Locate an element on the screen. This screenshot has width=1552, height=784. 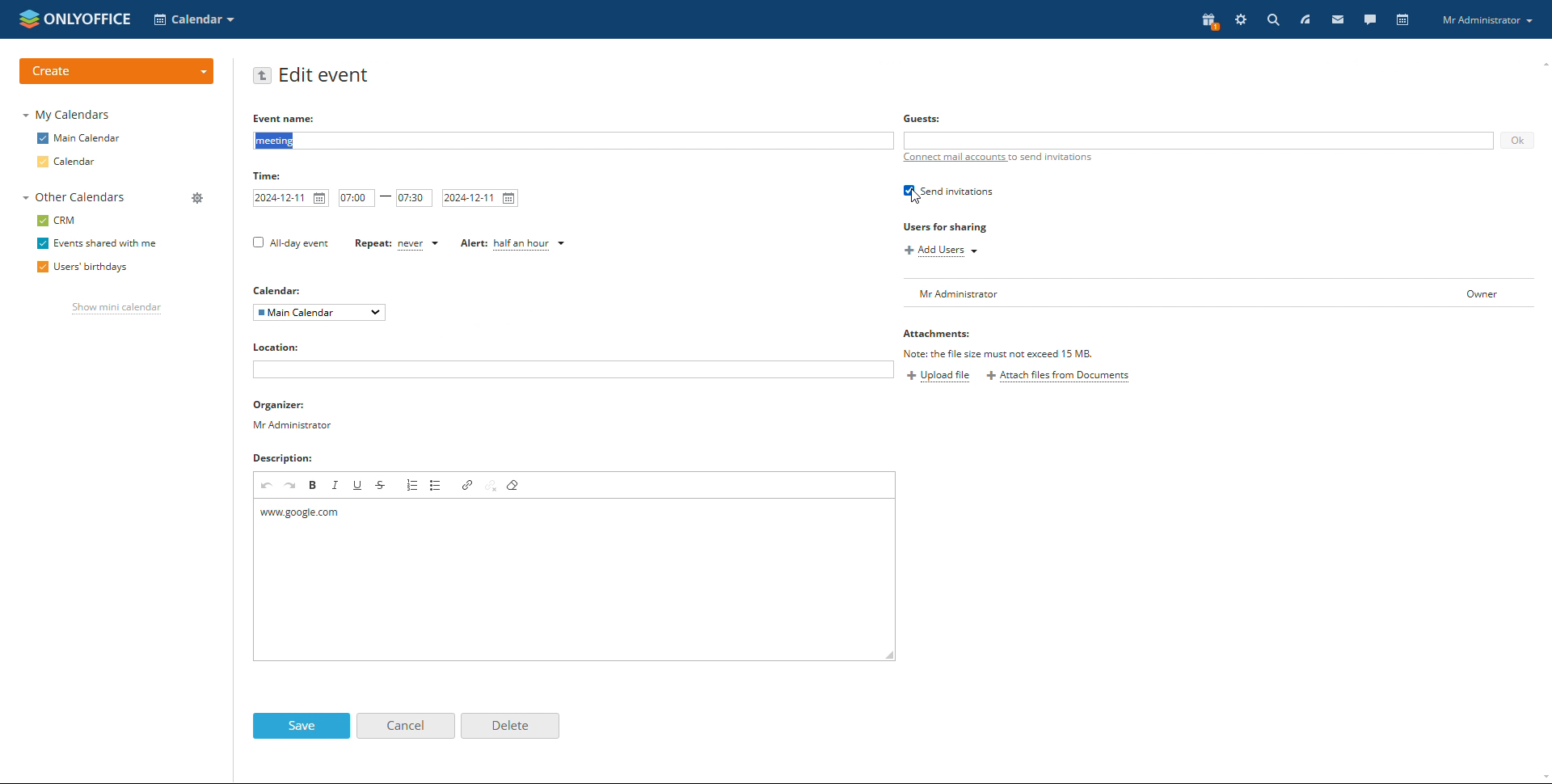
create is located at coordinates (116, 72).